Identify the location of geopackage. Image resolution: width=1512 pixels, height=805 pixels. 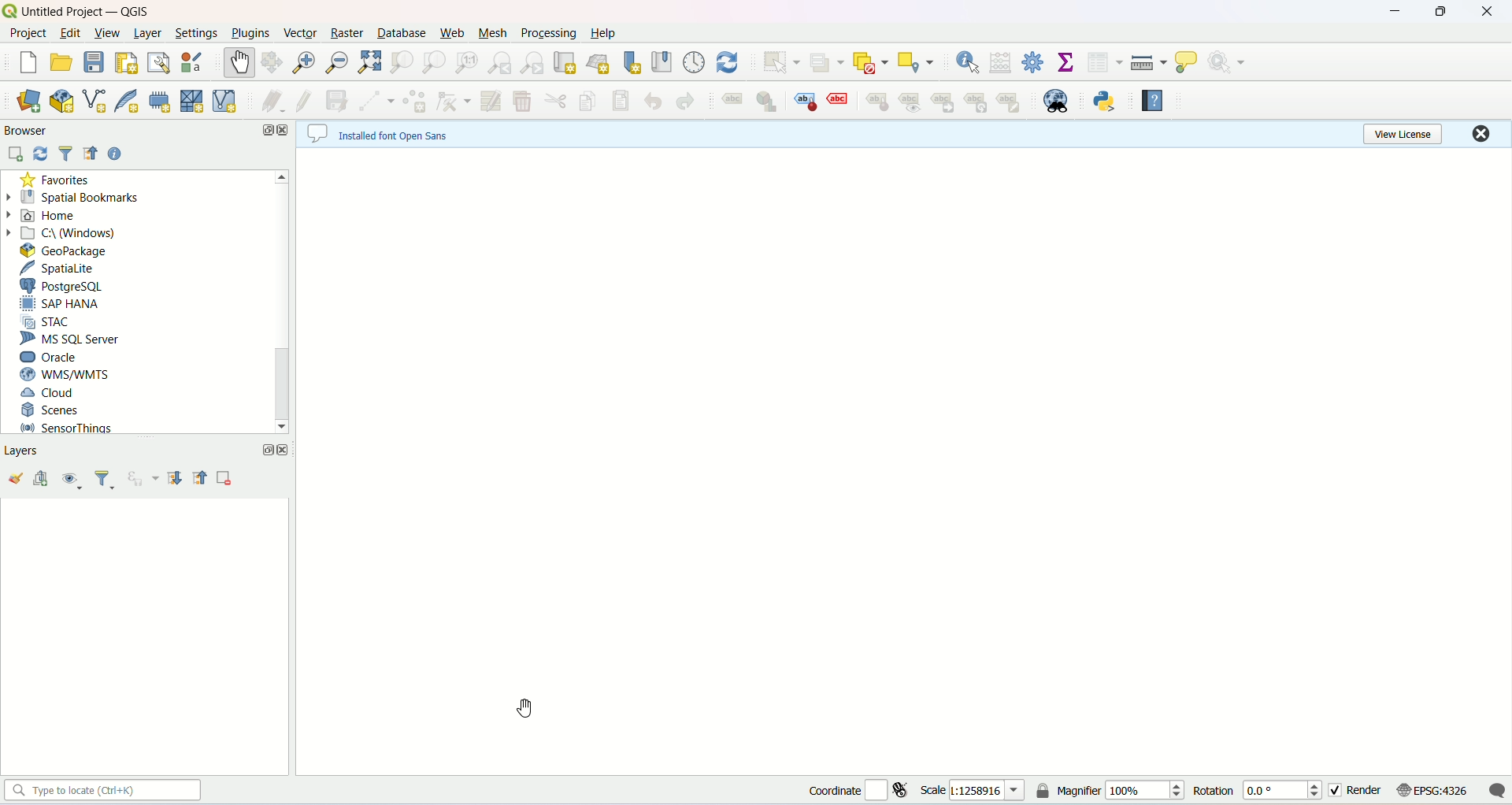
(62, 250).